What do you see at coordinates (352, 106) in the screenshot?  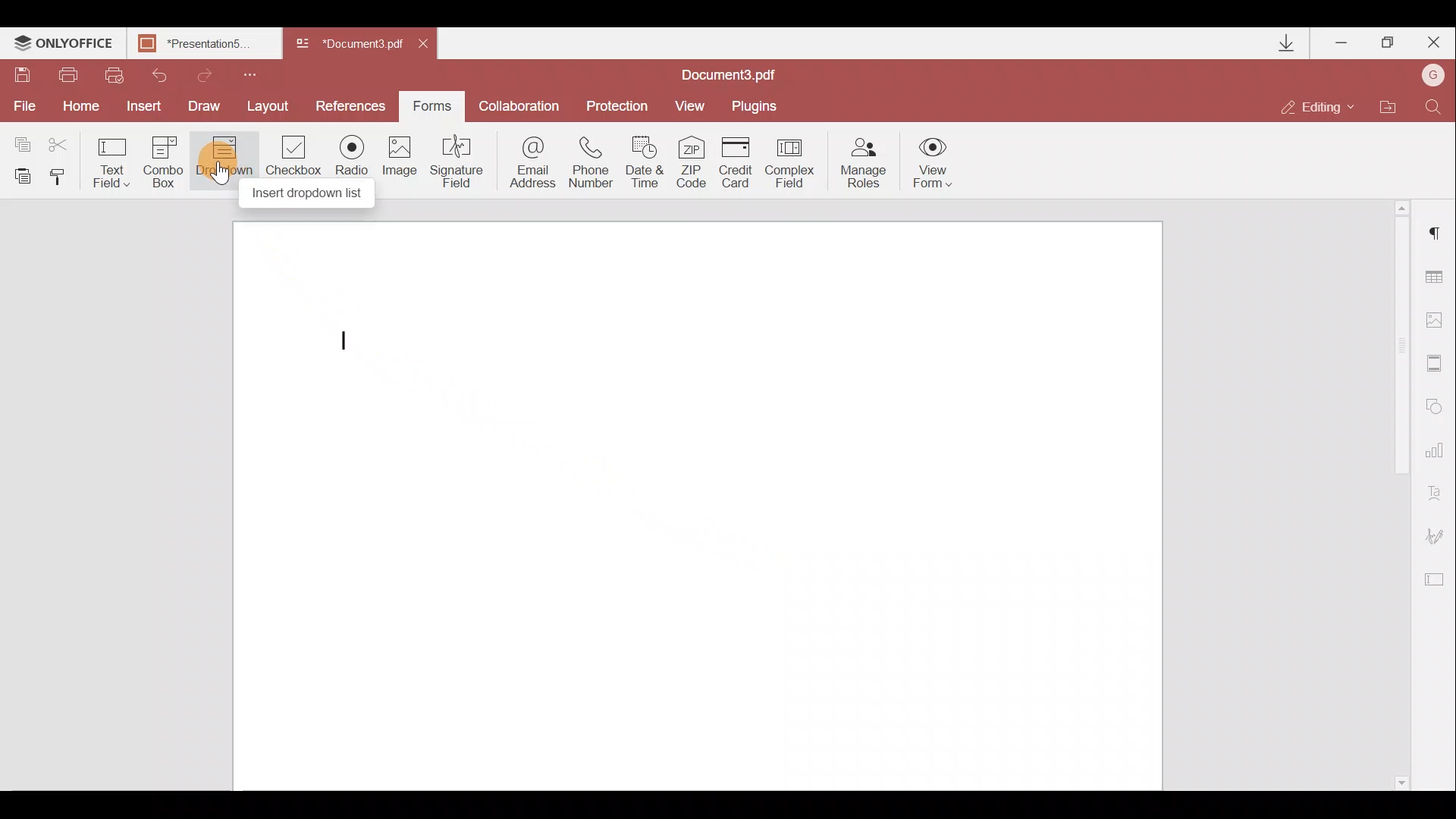 I see `Preferences` at bounding box center [352, 106].